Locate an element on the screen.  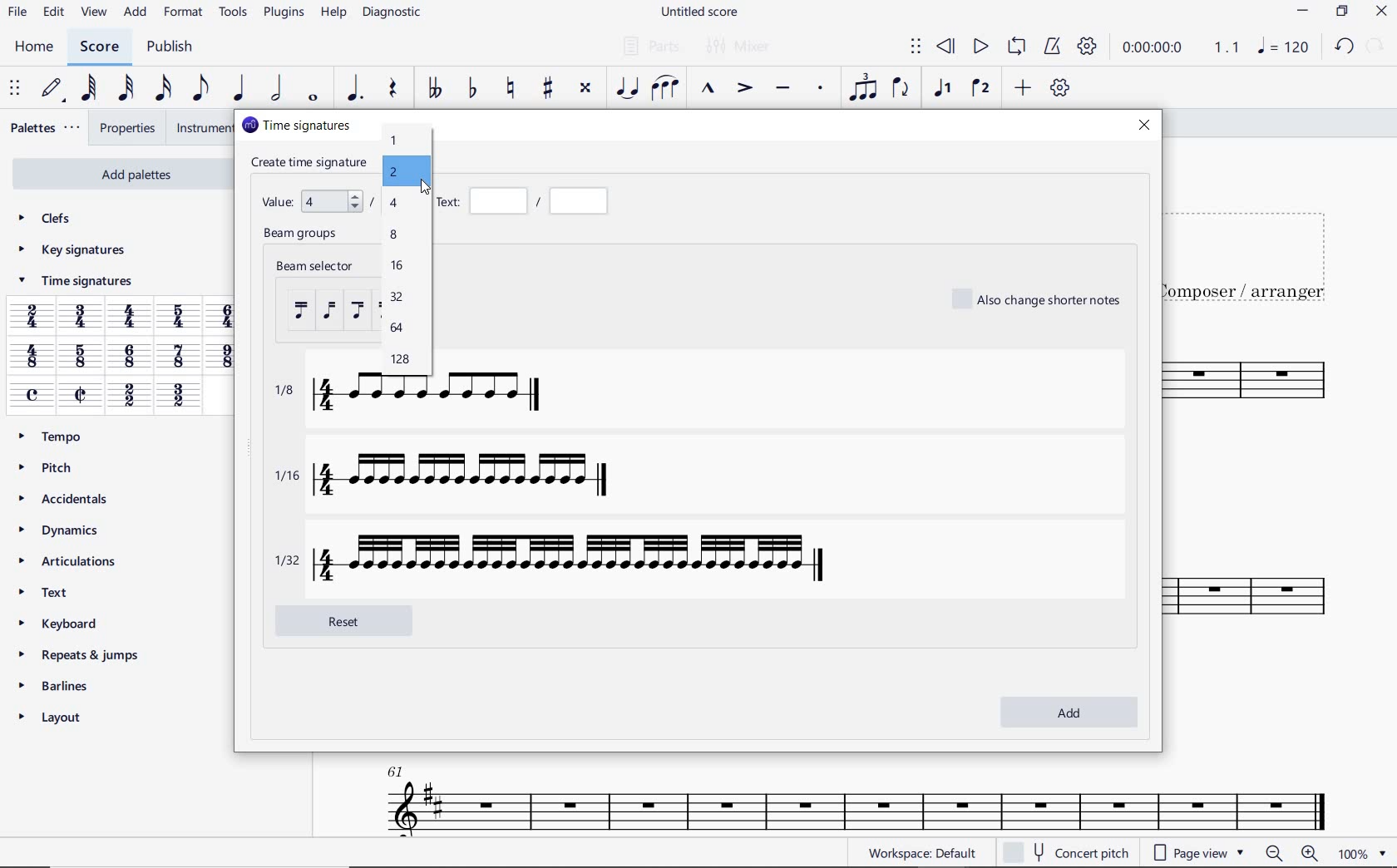
PROPERTIES is located at coordinates (126, 129).